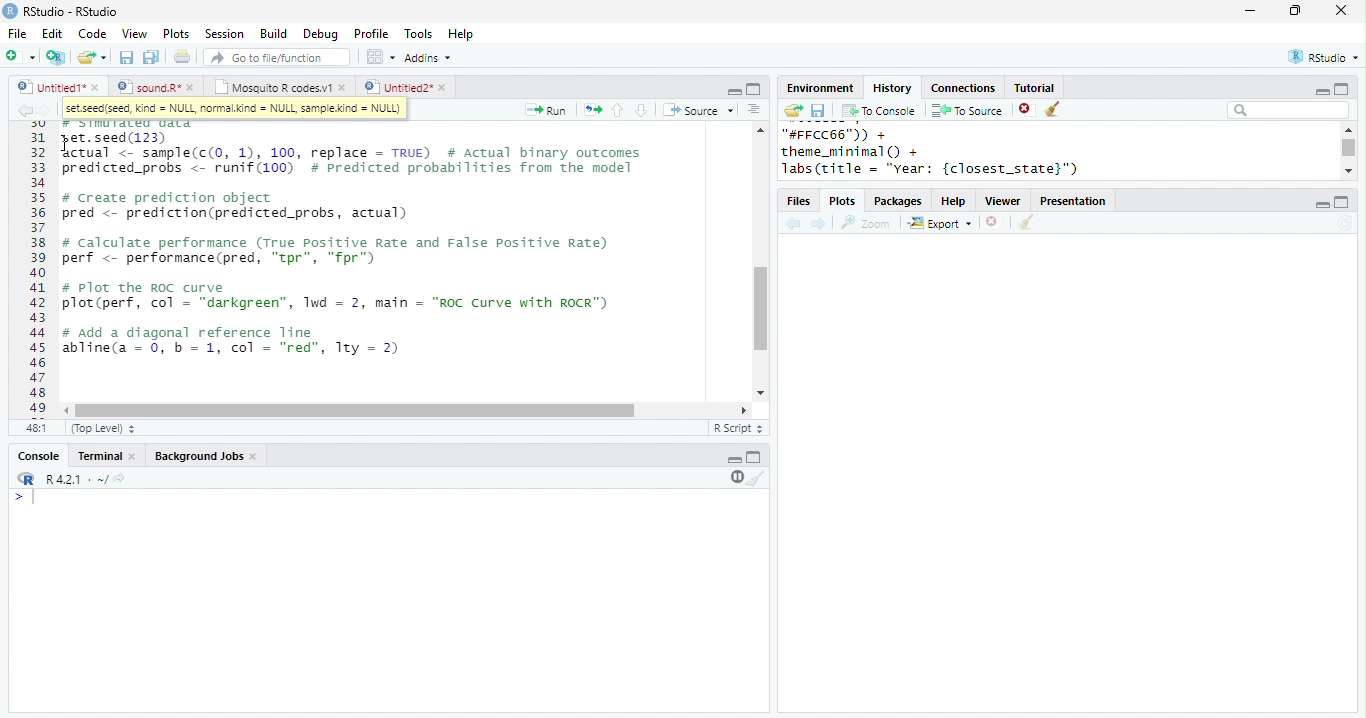 The width and height of the screenshot is (1366, 718). Describe the element at coordinates (371, 33) in the screenshot. I see `Profile` at that location.